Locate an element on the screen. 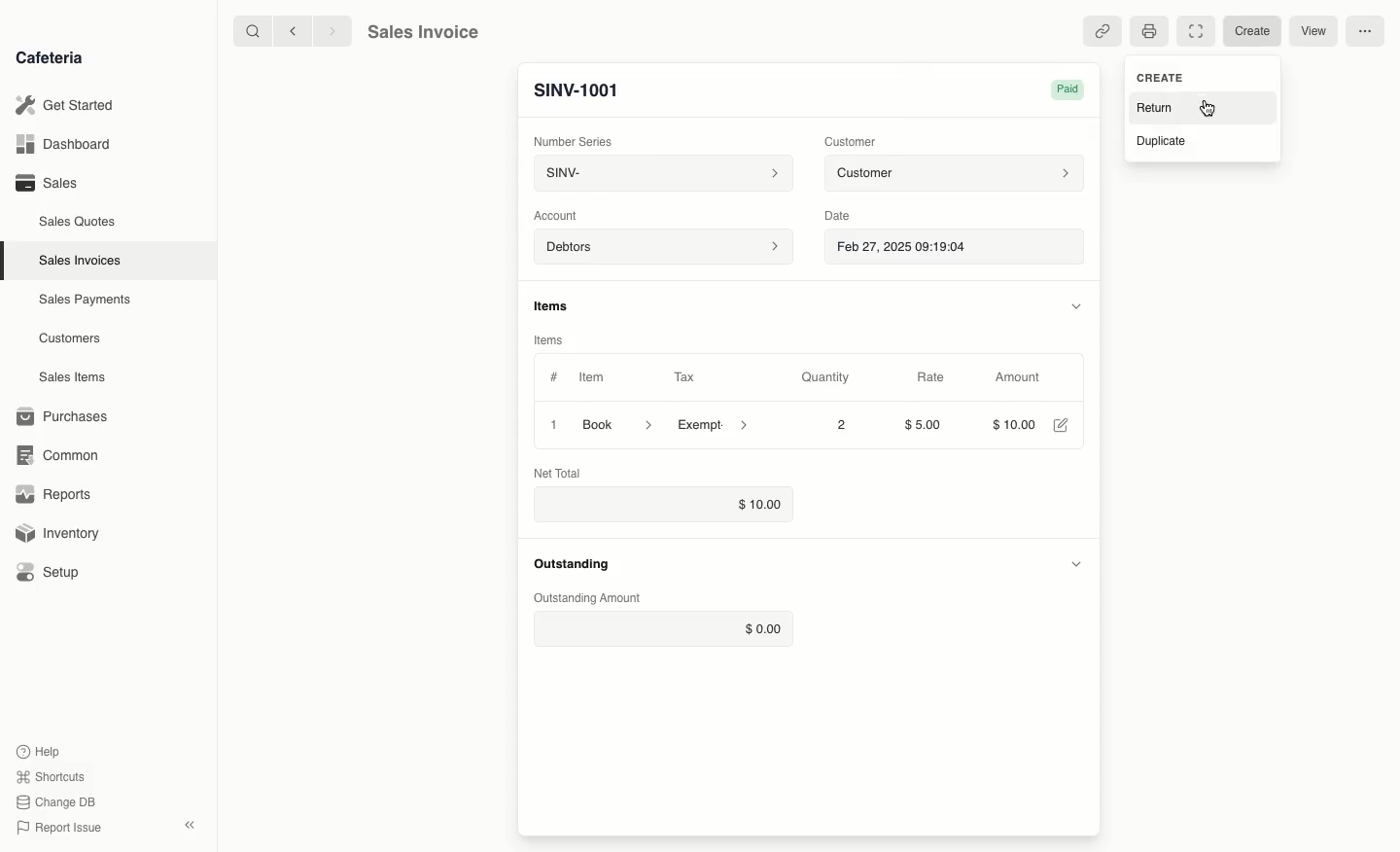  CREATE is located at coordinates (1158, 77).